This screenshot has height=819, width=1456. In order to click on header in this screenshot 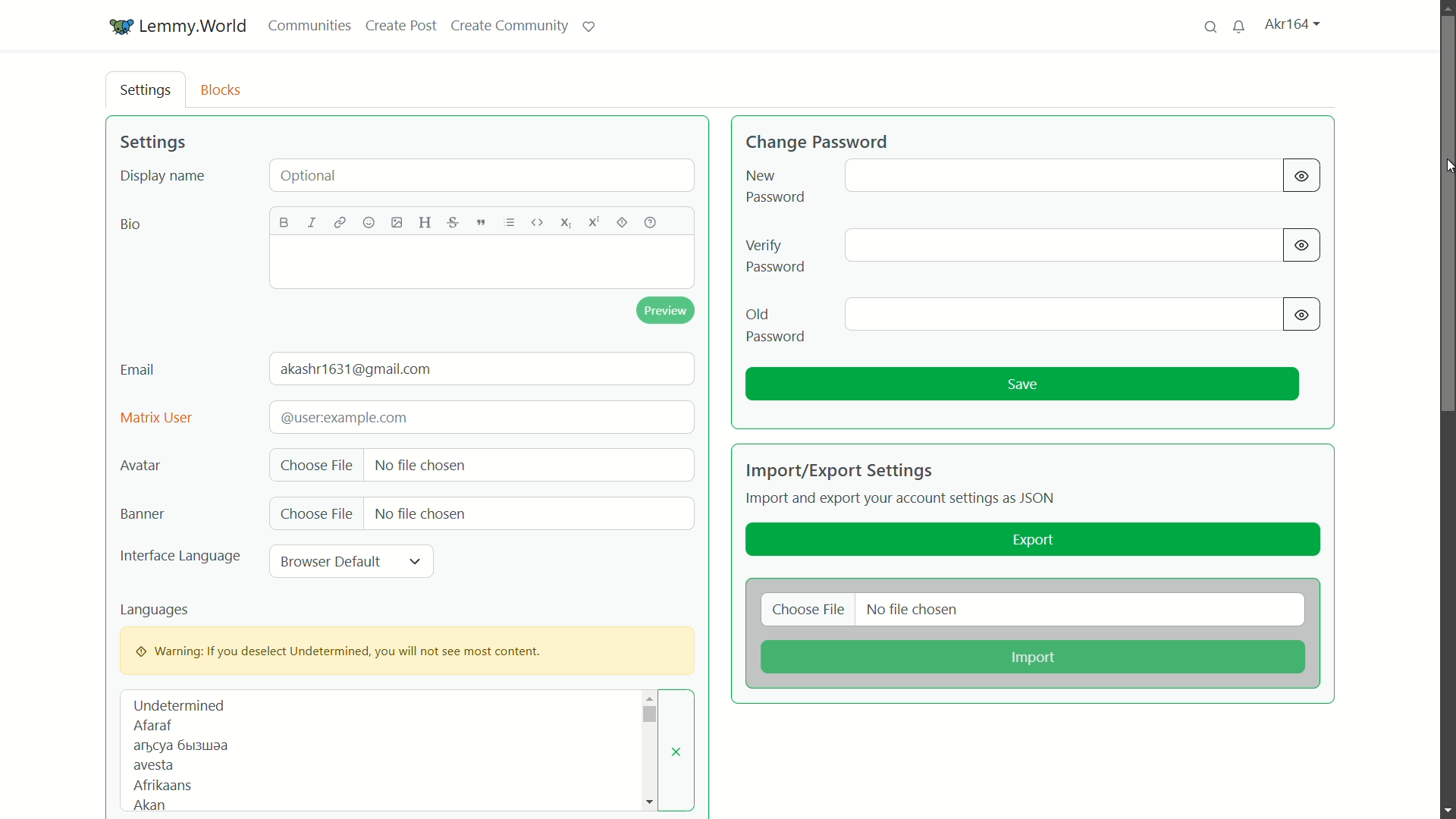, I will do `click(425, 222)`.